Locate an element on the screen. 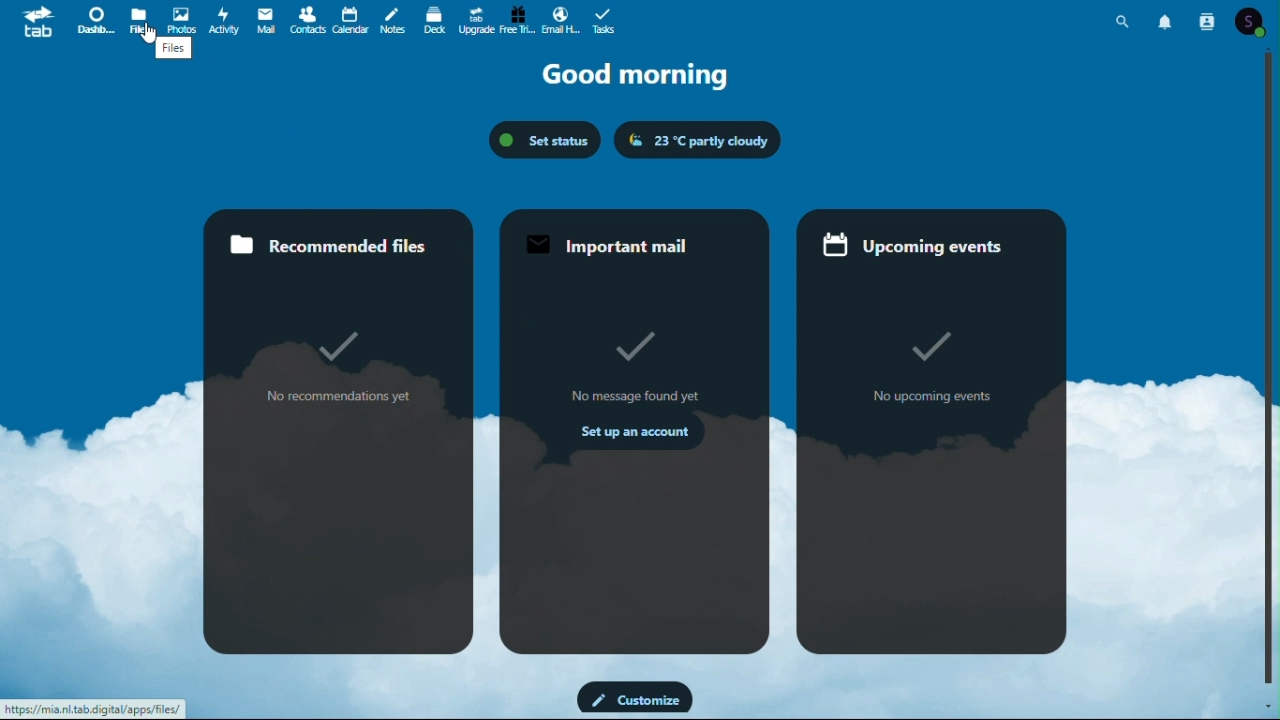  Activity is located at coordinates (224, 20).